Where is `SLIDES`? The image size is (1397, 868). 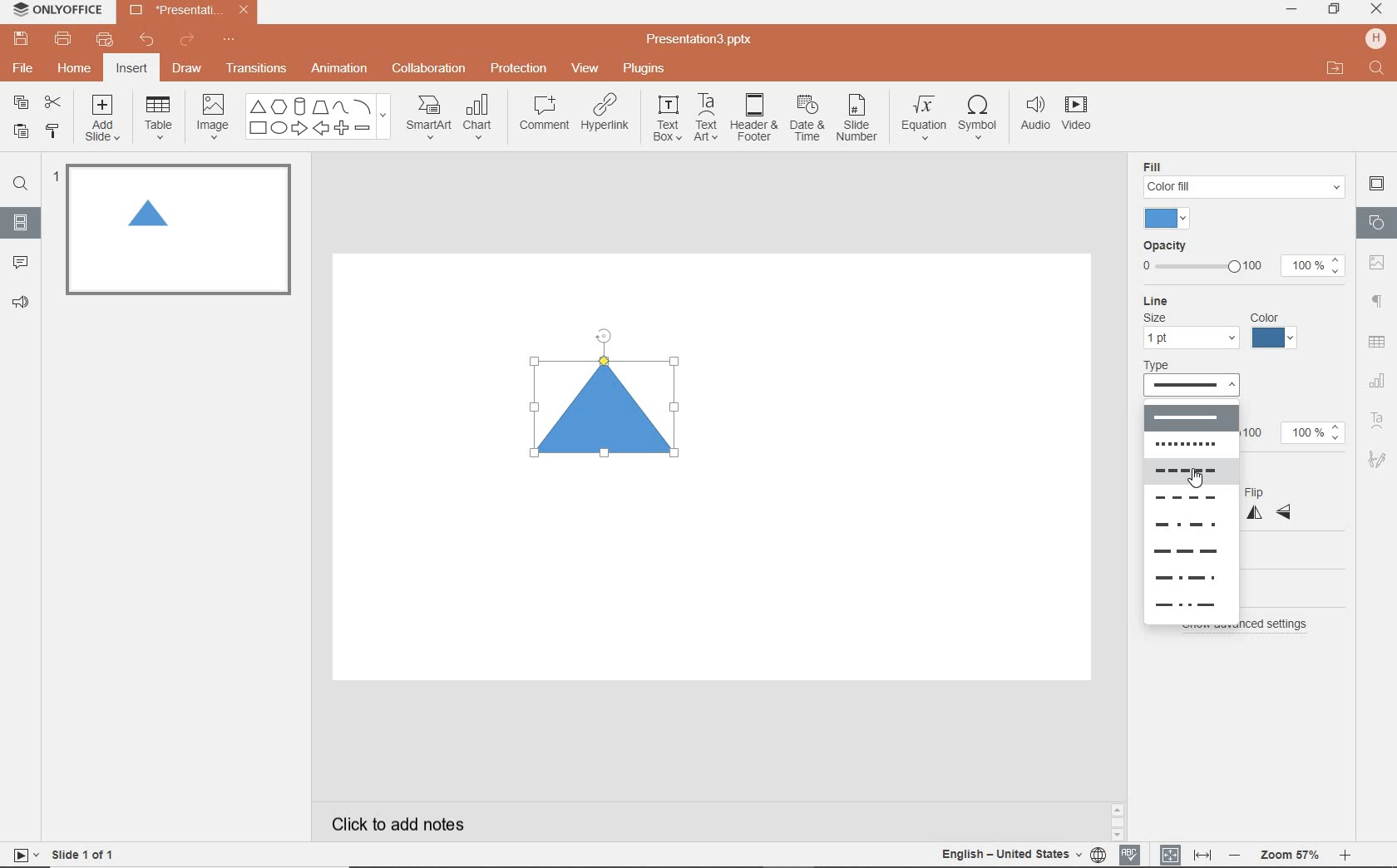
SLIDES is located at coordinates (22, 223).